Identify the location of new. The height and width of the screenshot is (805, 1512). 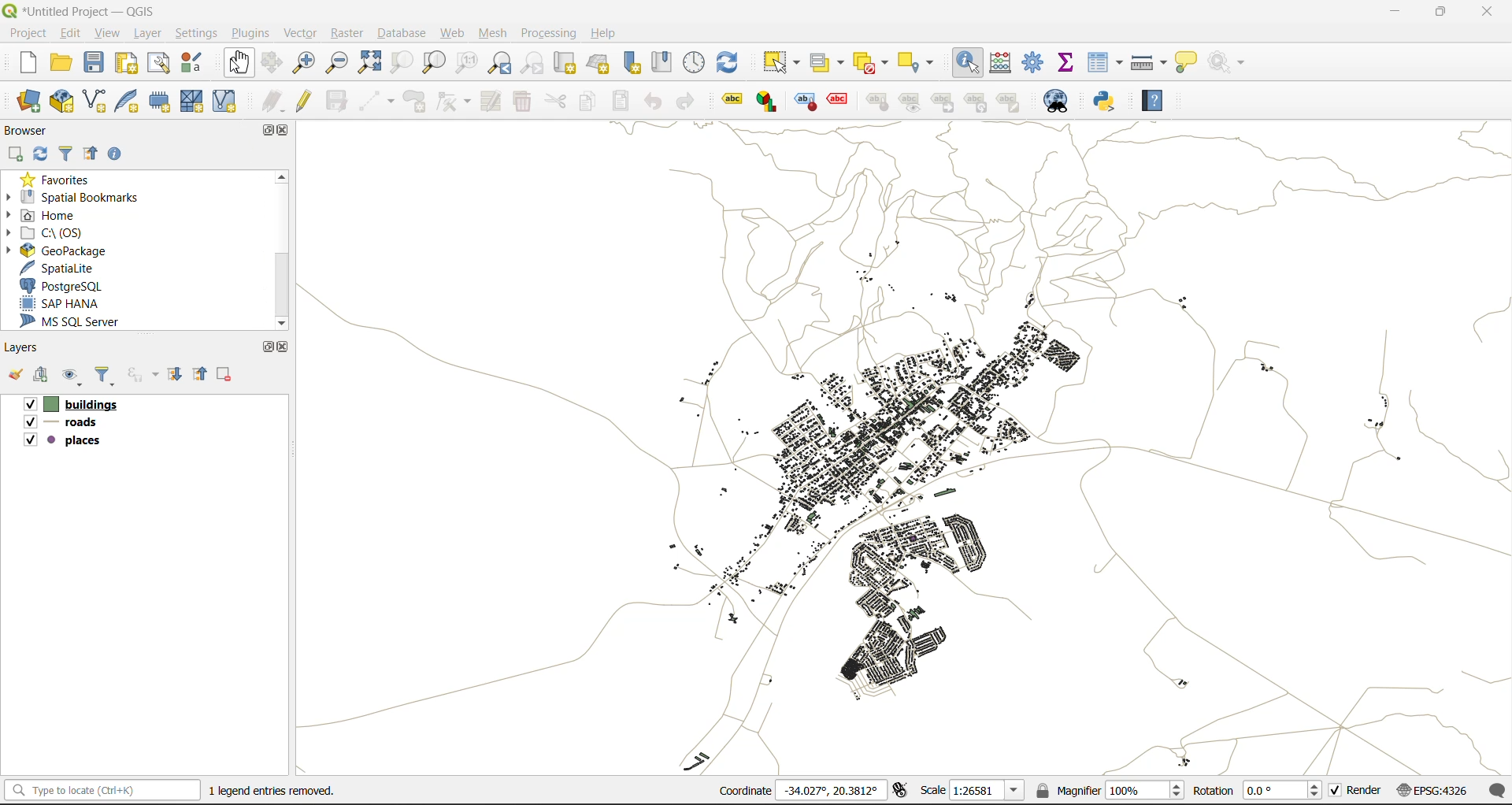
(20, 63).